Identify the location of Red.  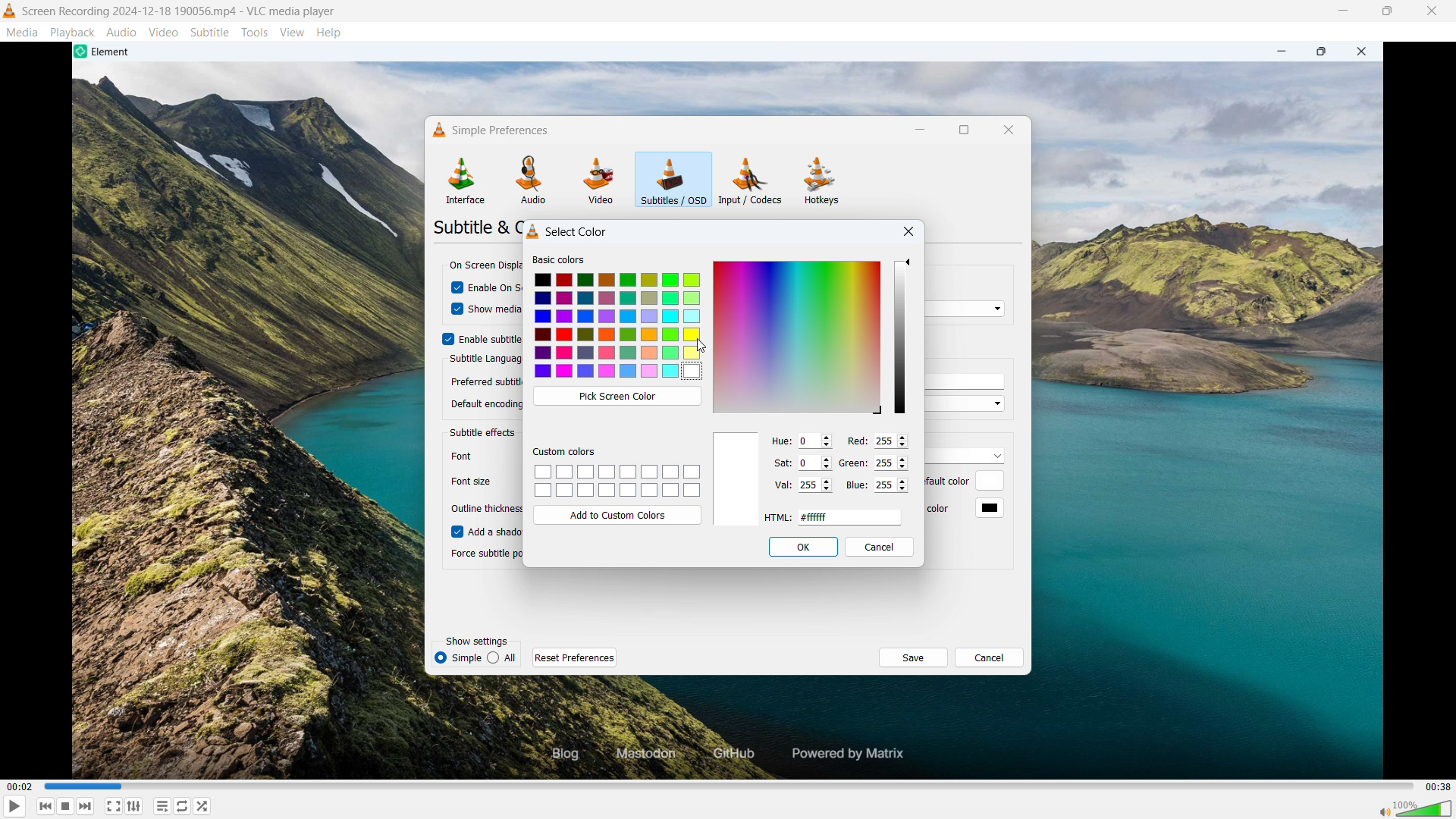
(855, 441).